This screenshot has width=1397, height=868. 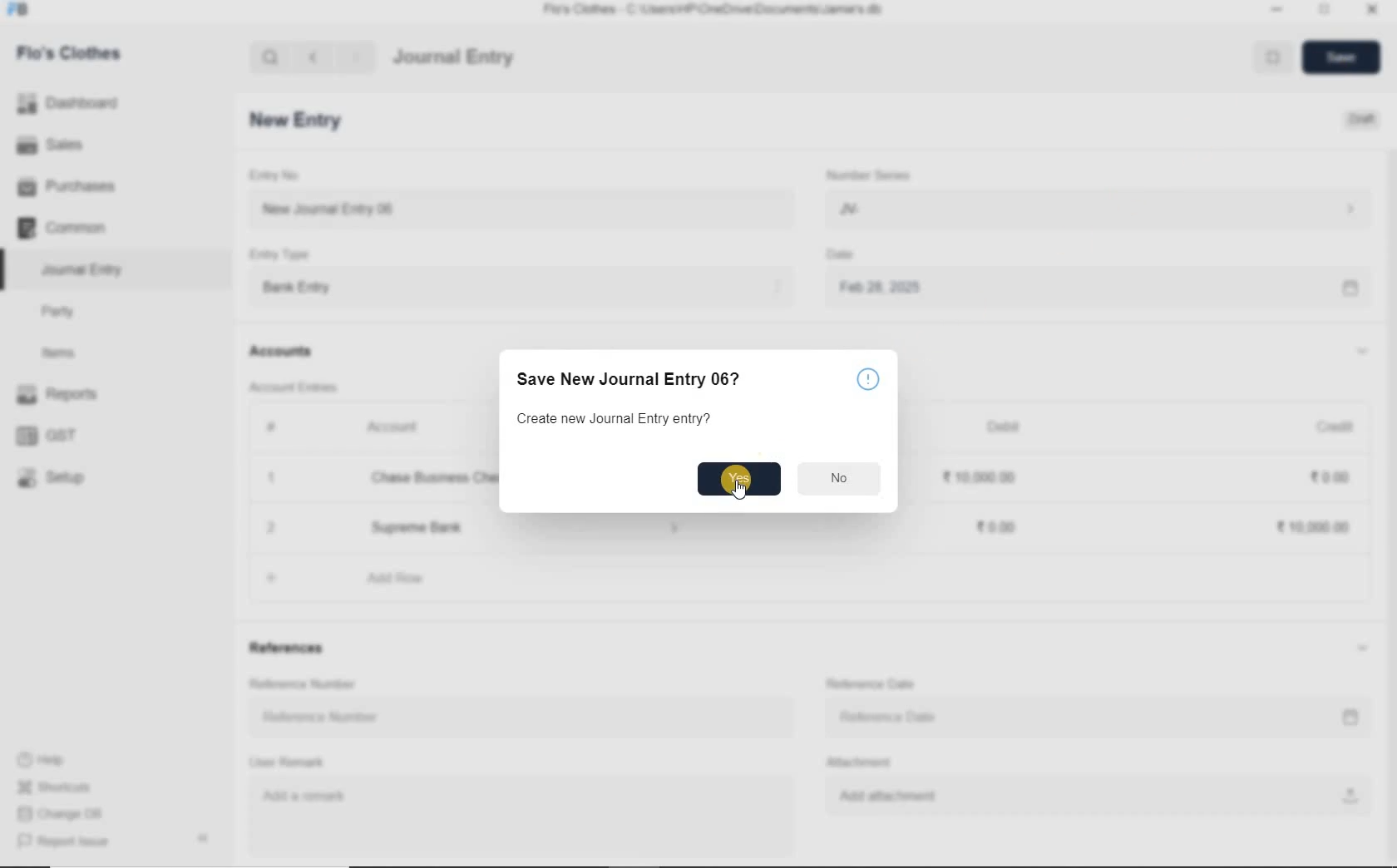 I want to click on Save New Journal Entry 06?, so click(x=626, y=380).